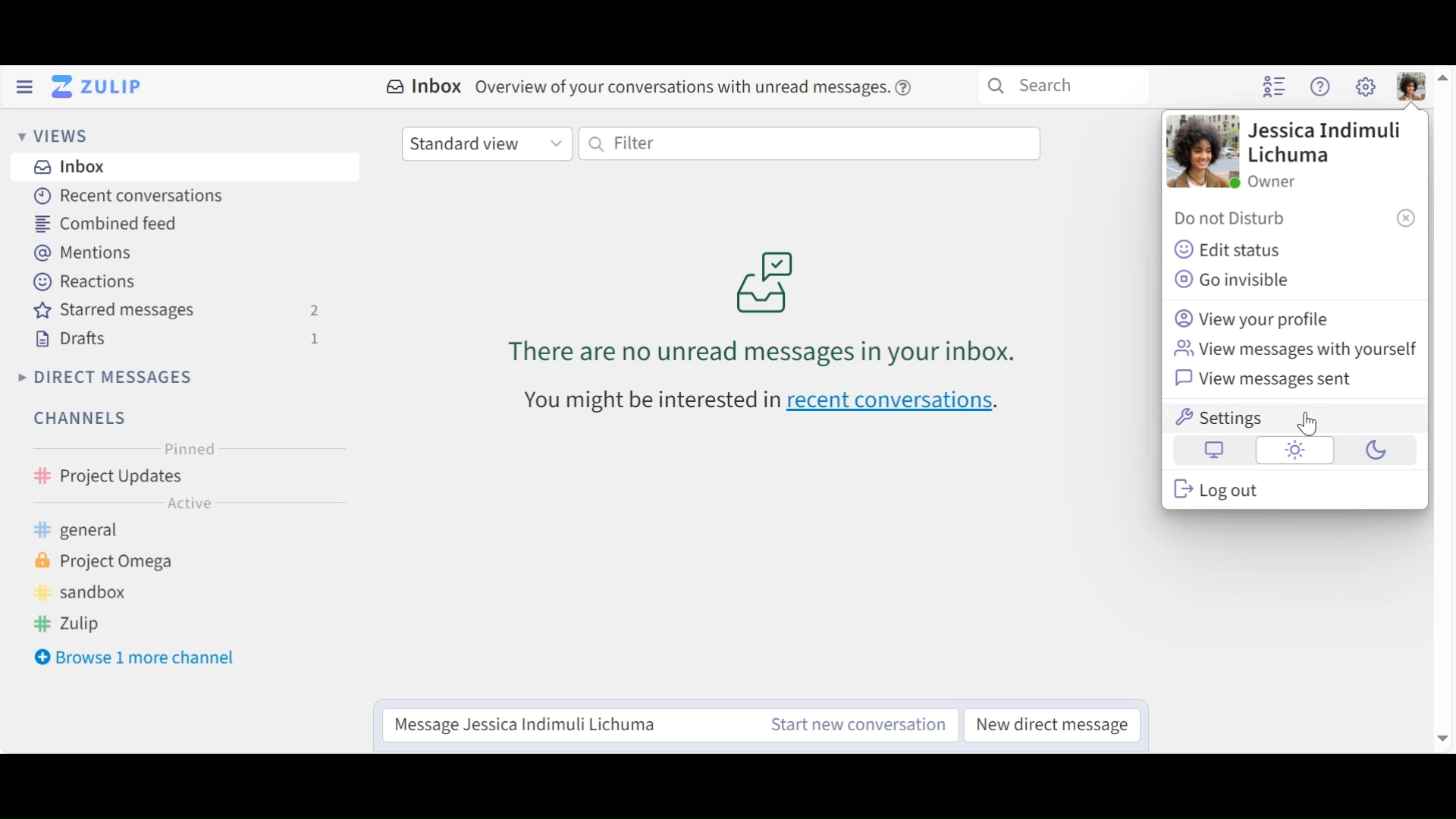  What do you see at coordinates (24, 86) in the screenshot?
I see `Hide left Sidebar` at bounding box center [24, 86].